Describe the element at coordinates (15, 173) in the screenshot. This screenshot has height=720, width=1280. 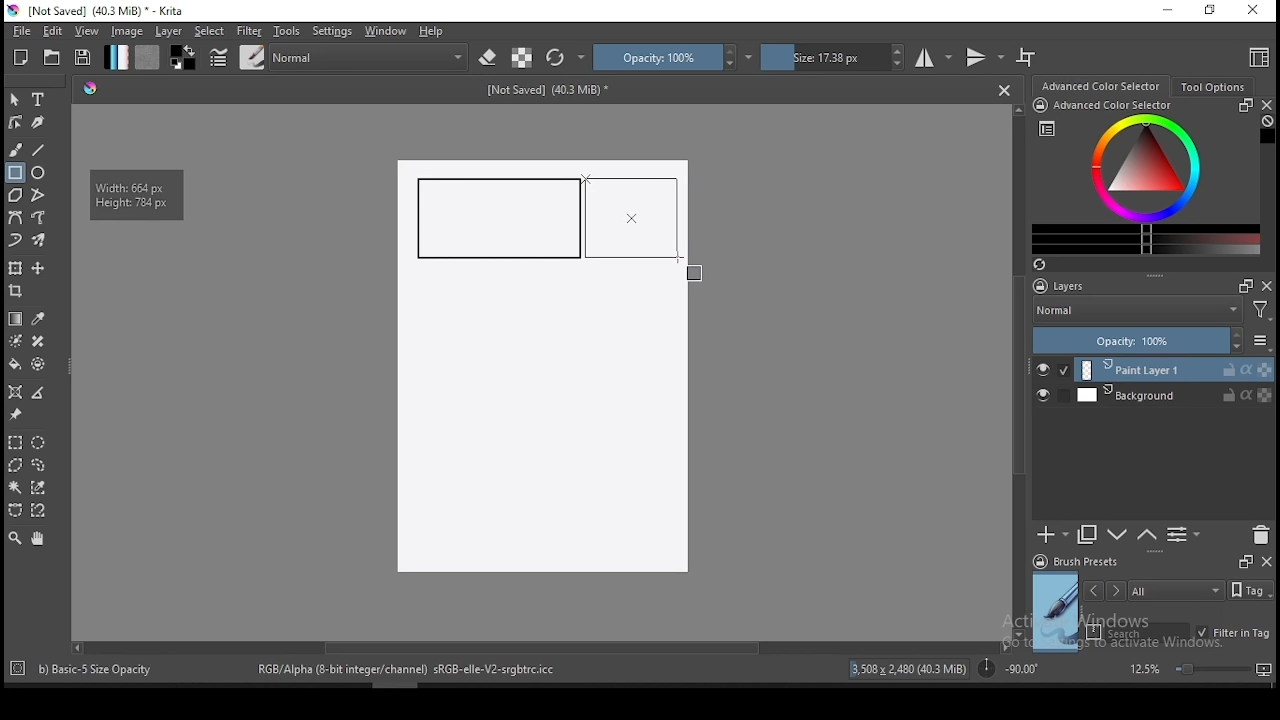
I see `rectangle tool` at that location.